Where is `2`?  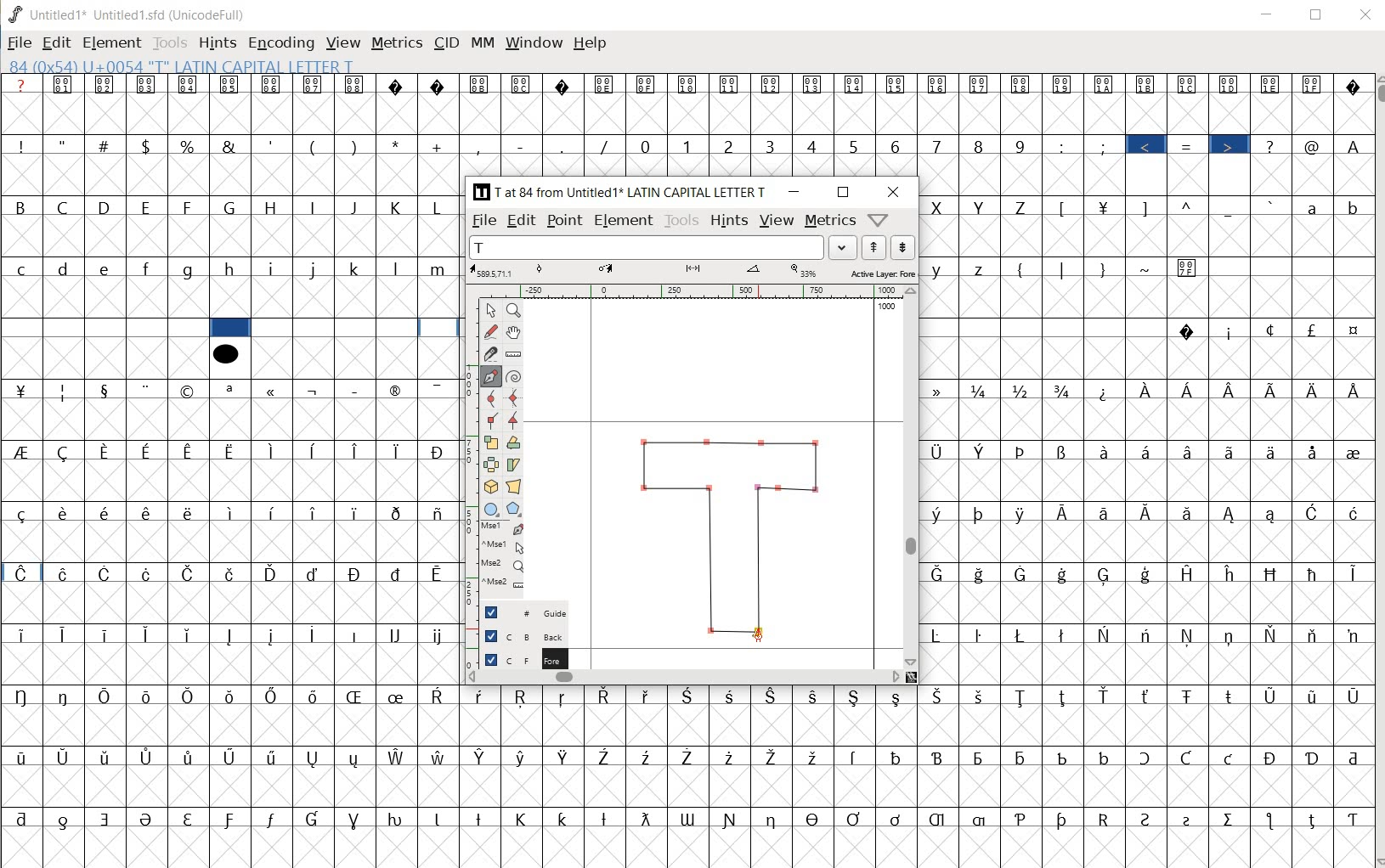
2 is located at coordinates (731, 146).